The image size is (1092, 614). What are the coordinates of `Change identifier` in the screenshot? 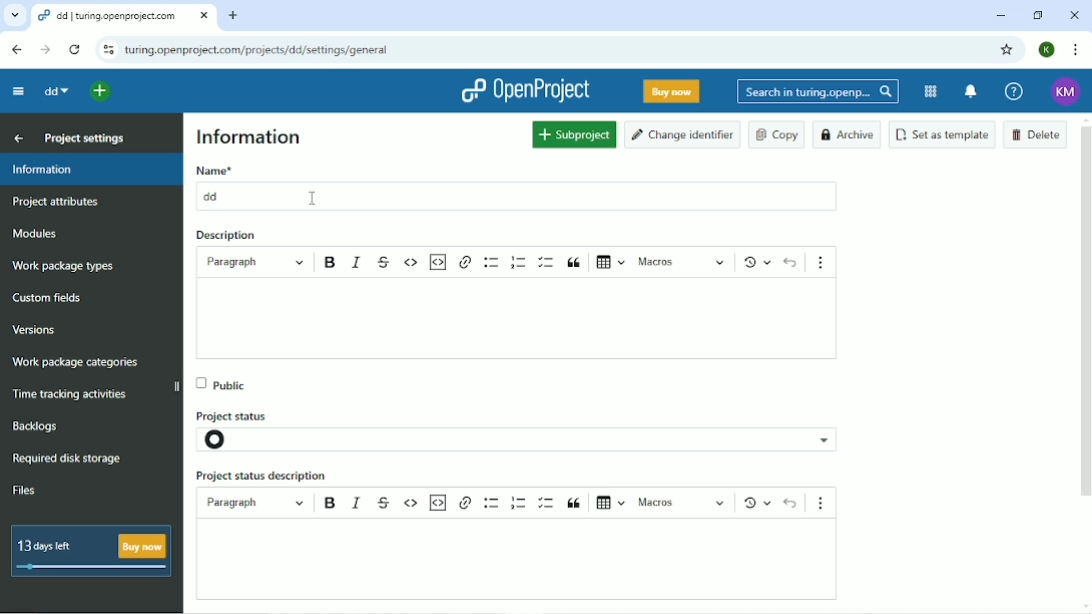 It's located at (683, 135).